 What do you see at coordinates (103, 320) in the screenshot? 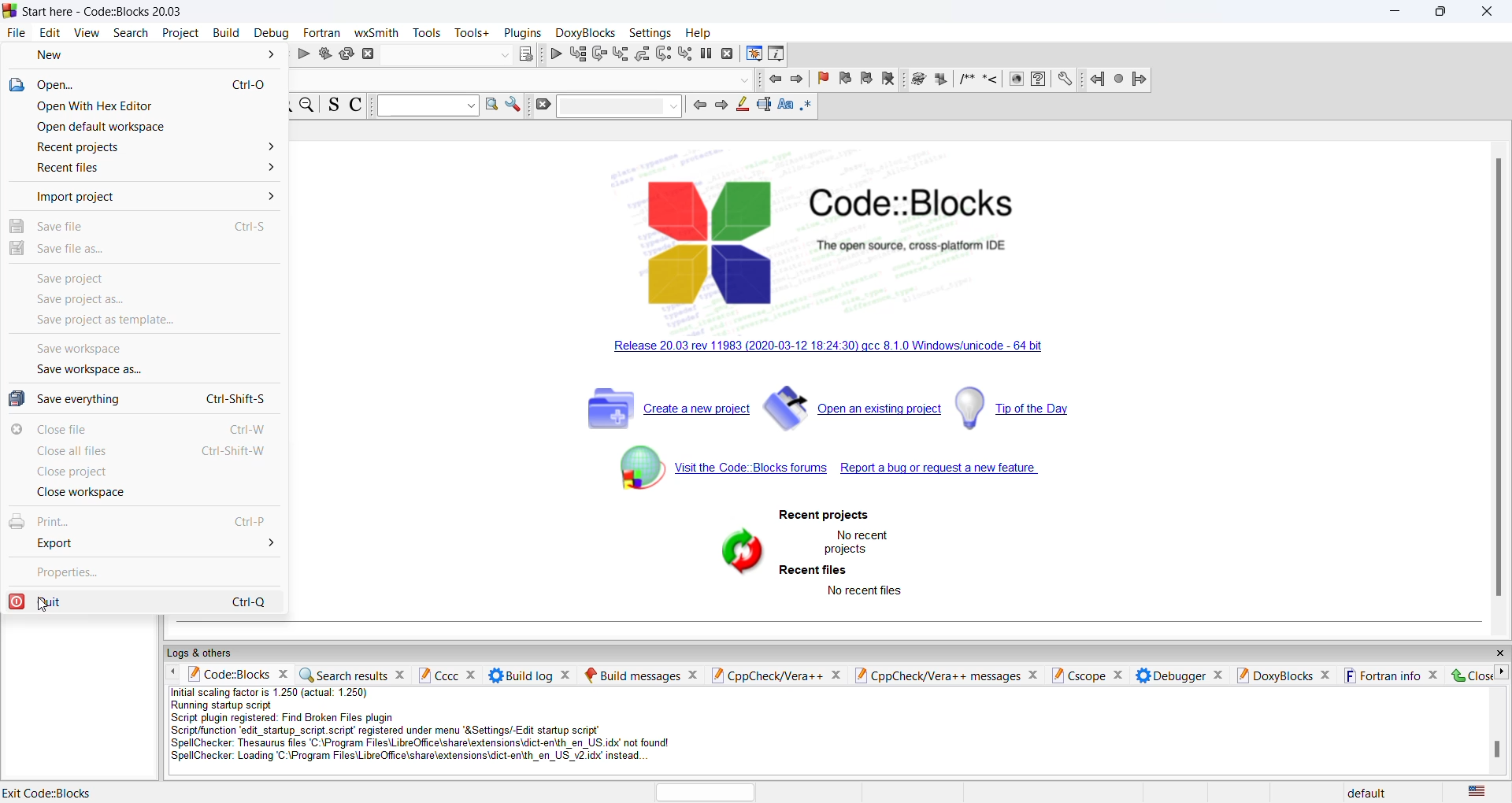
I see `Save project as template...` at bounding box center [103, 320].